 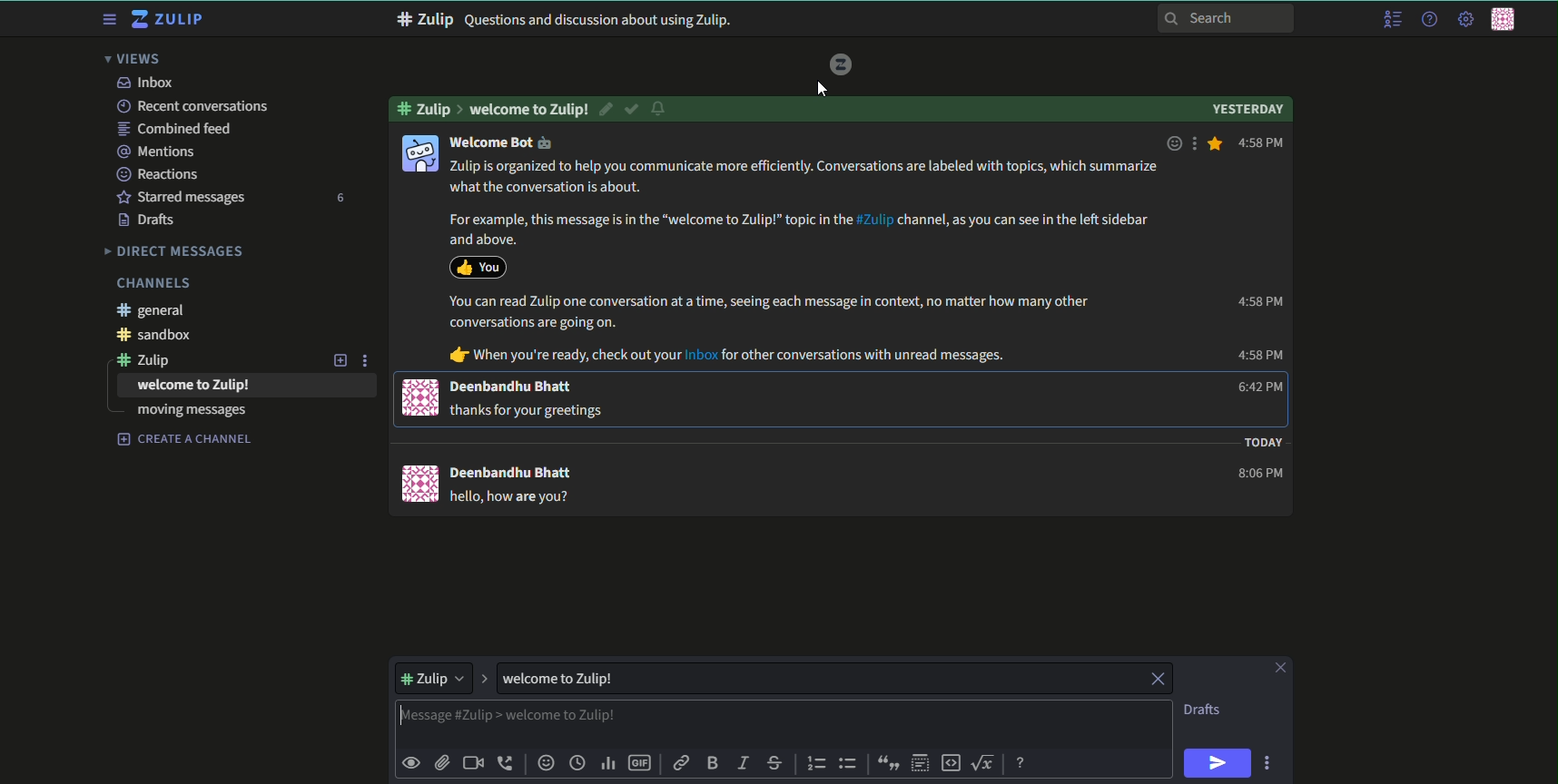 I want to click on You can read Zulip one conversation at a time, seeing each message in context, no matter how many other conversations are going on., so click(x=772, y=309).